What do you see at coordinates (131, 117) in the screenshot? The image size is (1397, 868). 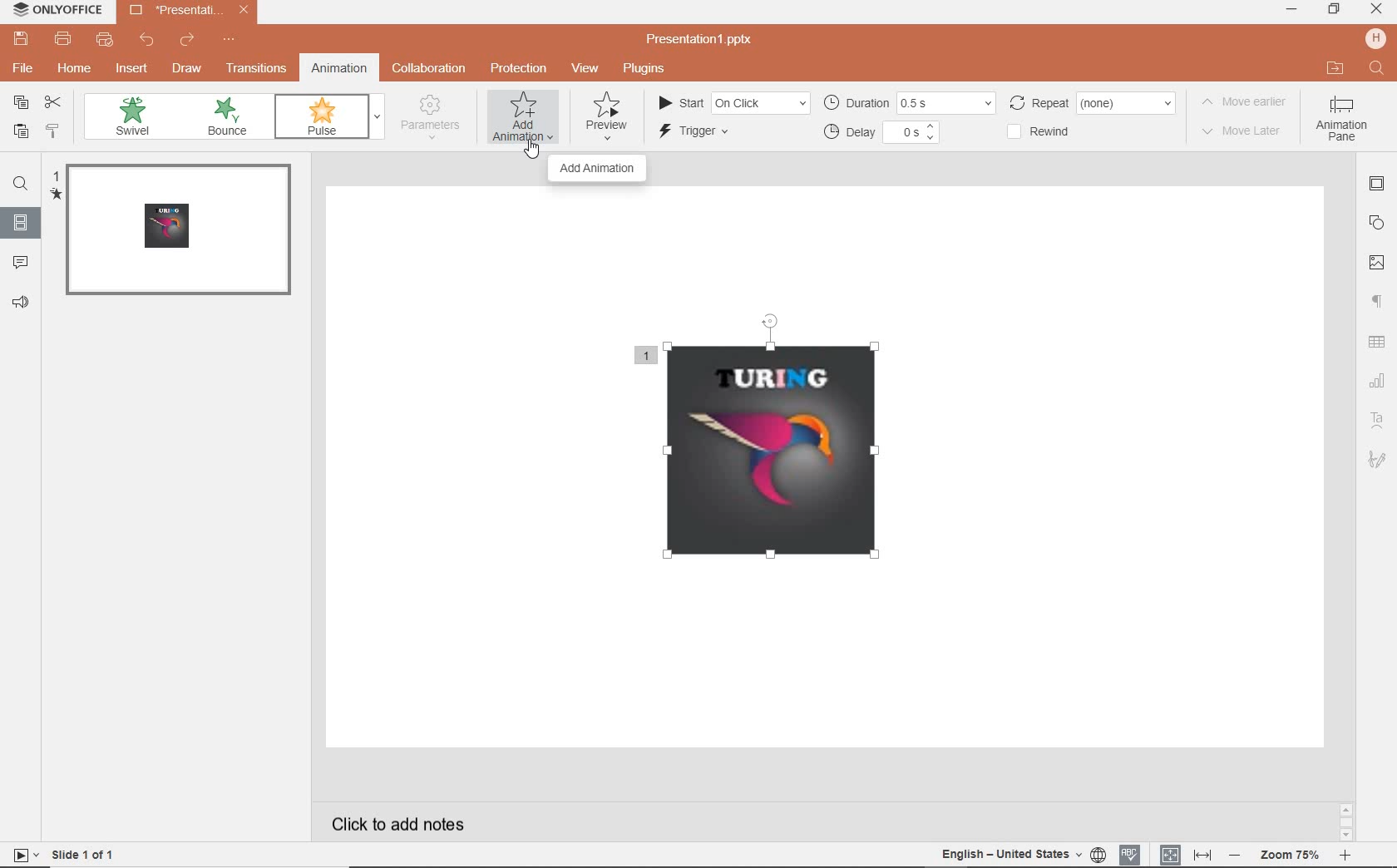 I see `swivel` at bounding box center [131, 117].